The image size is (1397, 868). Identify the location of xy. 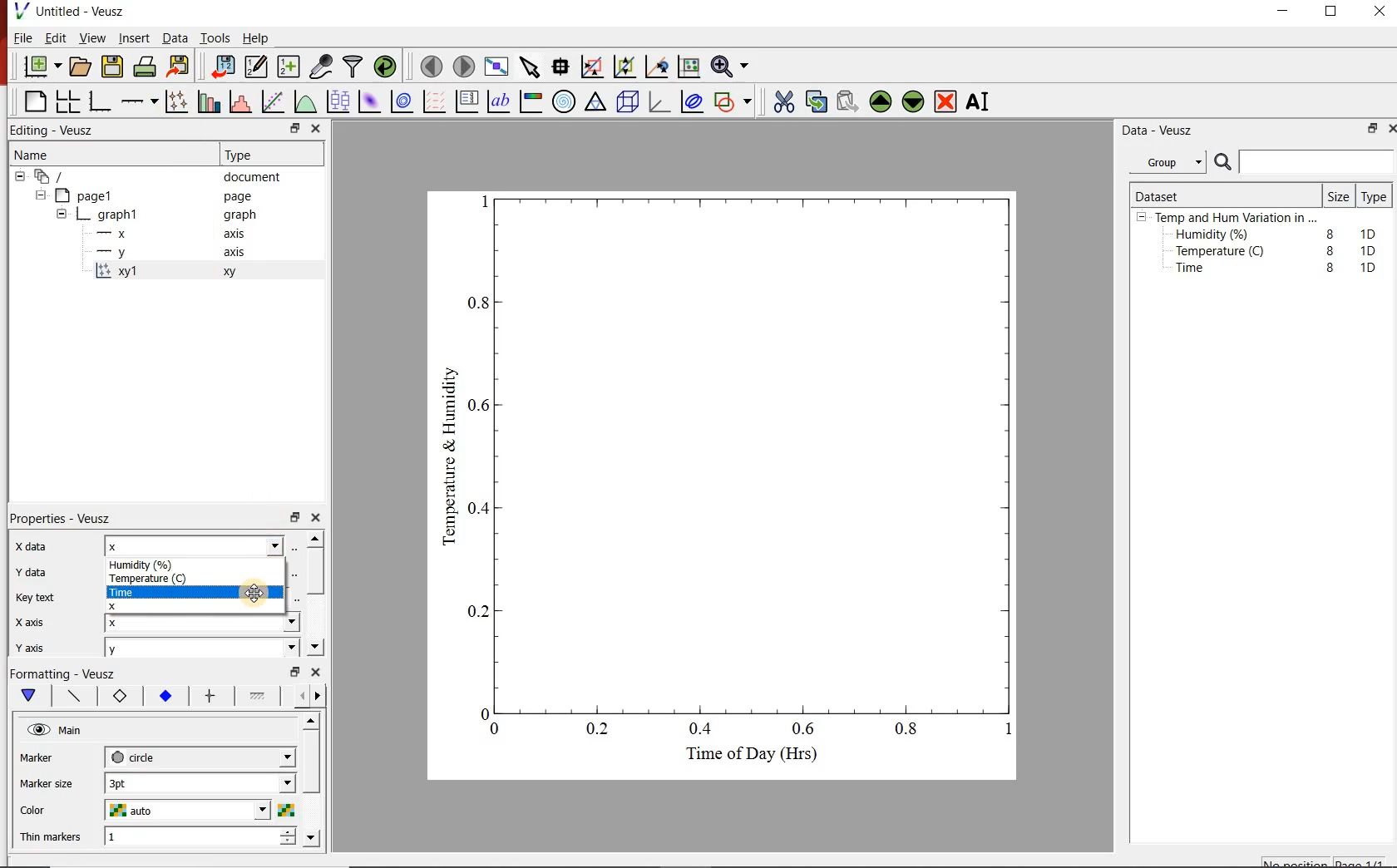
(234, 276).